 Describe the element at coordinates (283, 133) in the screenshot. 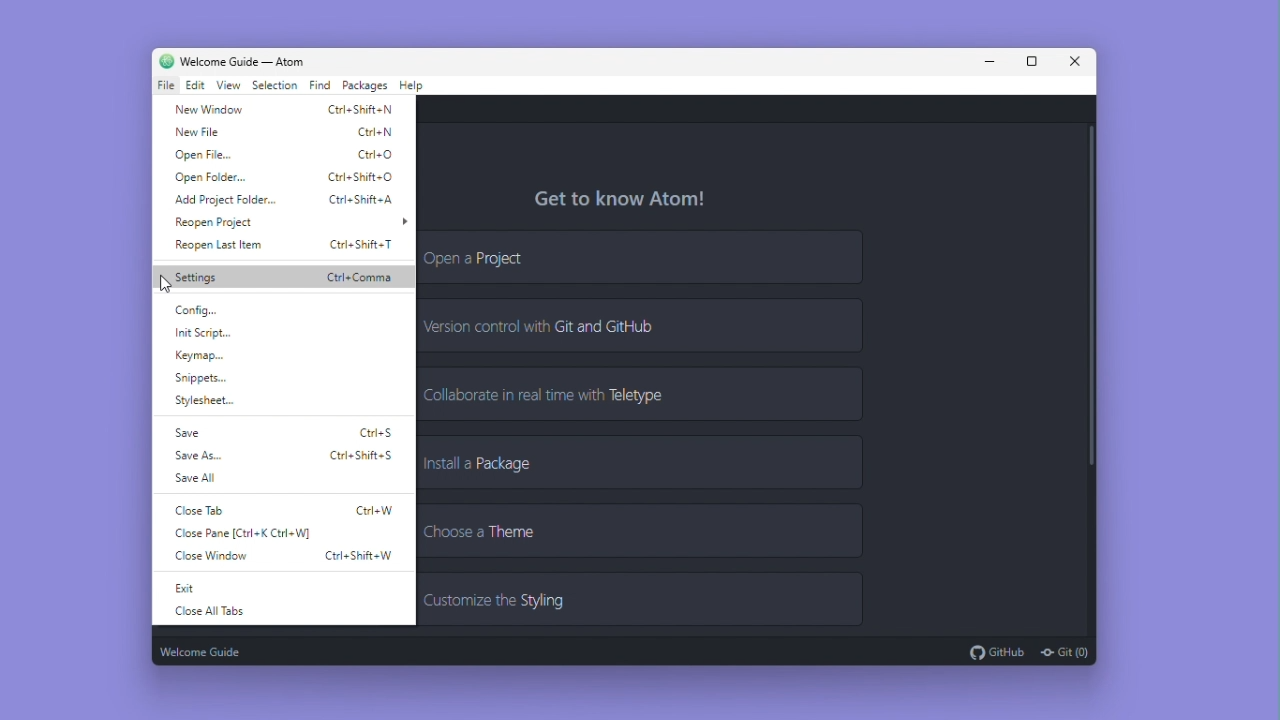

I see `New file Ctrl+N` at that location.